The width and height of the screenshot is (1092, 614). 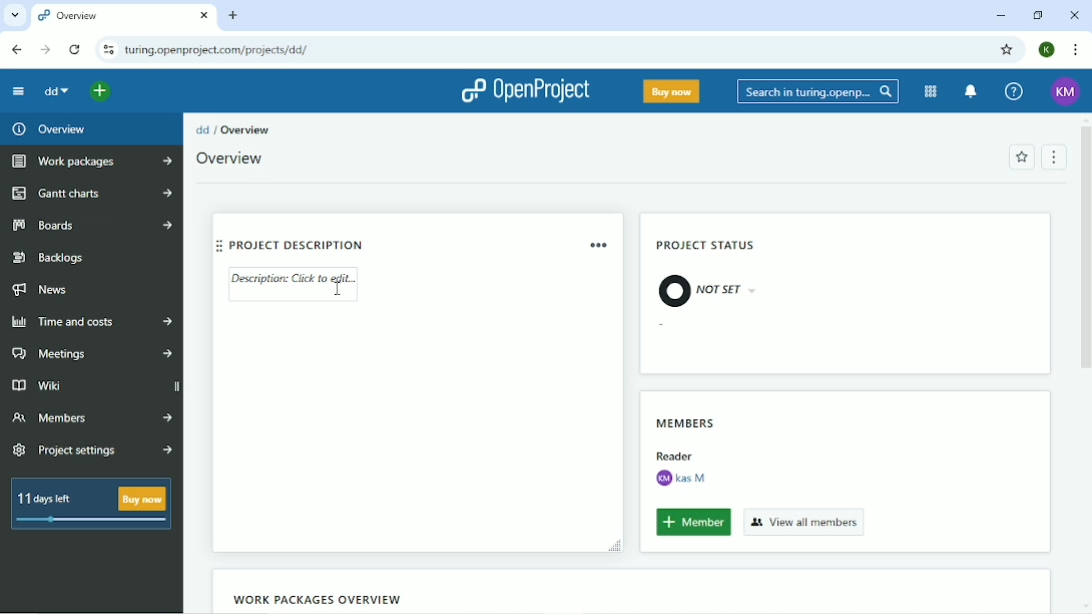 I want to click on Backlogs, so click(x=51, y=258).